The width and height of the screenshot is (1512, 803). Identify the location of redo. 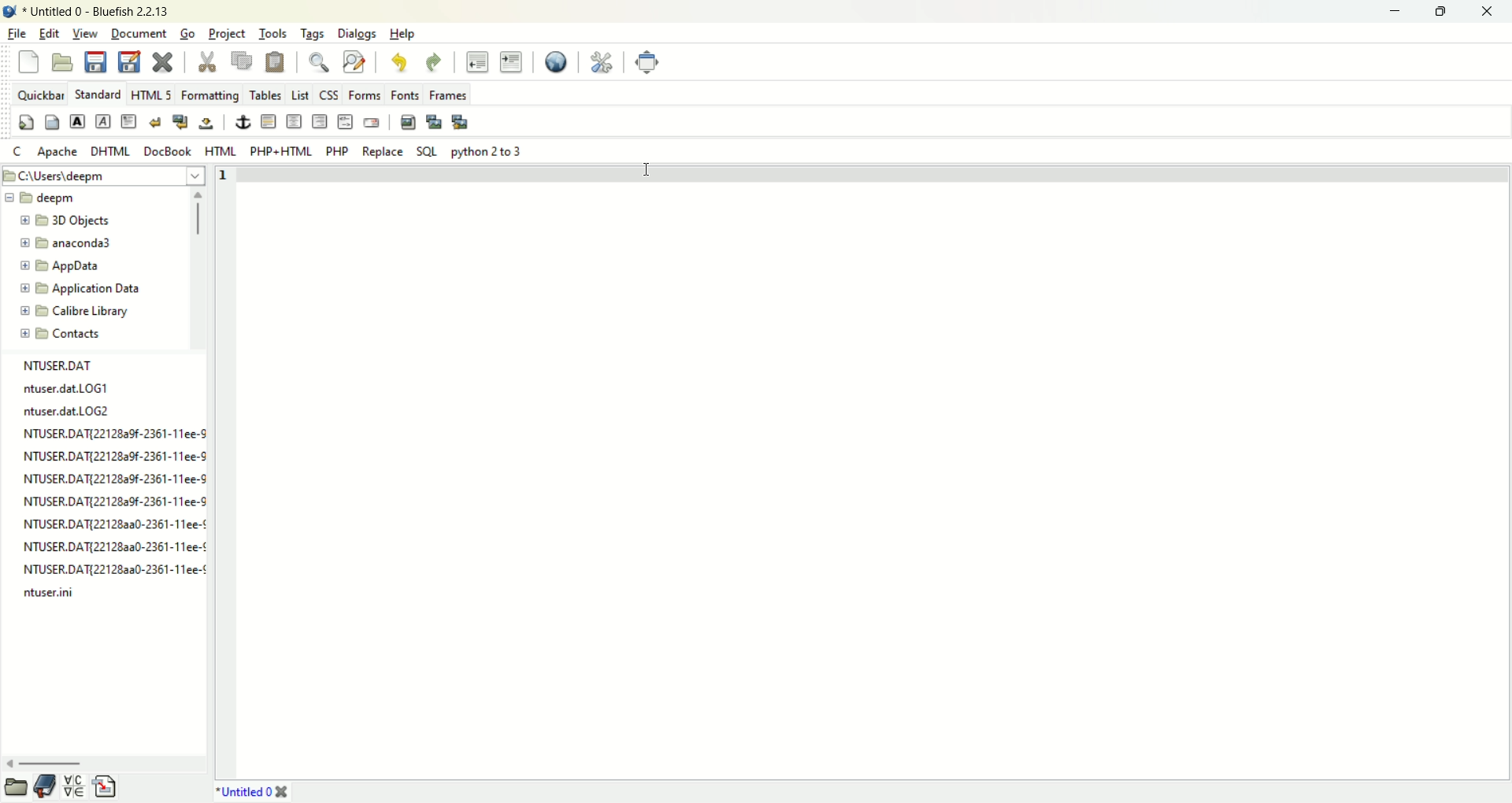
(434, 64).